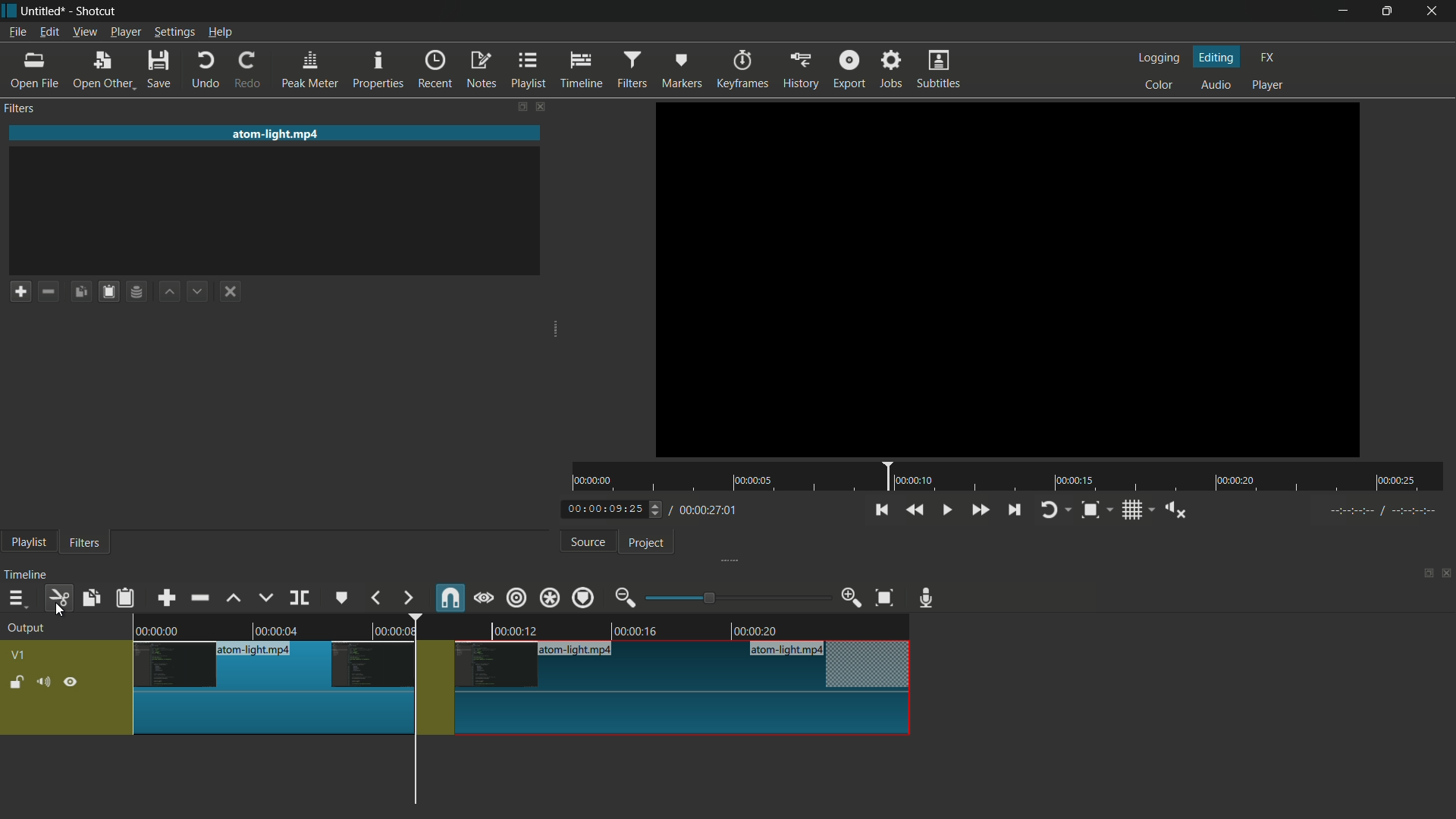 This screenshot has width=1456, height=819. I want to click on close app, so click(1437, 11).